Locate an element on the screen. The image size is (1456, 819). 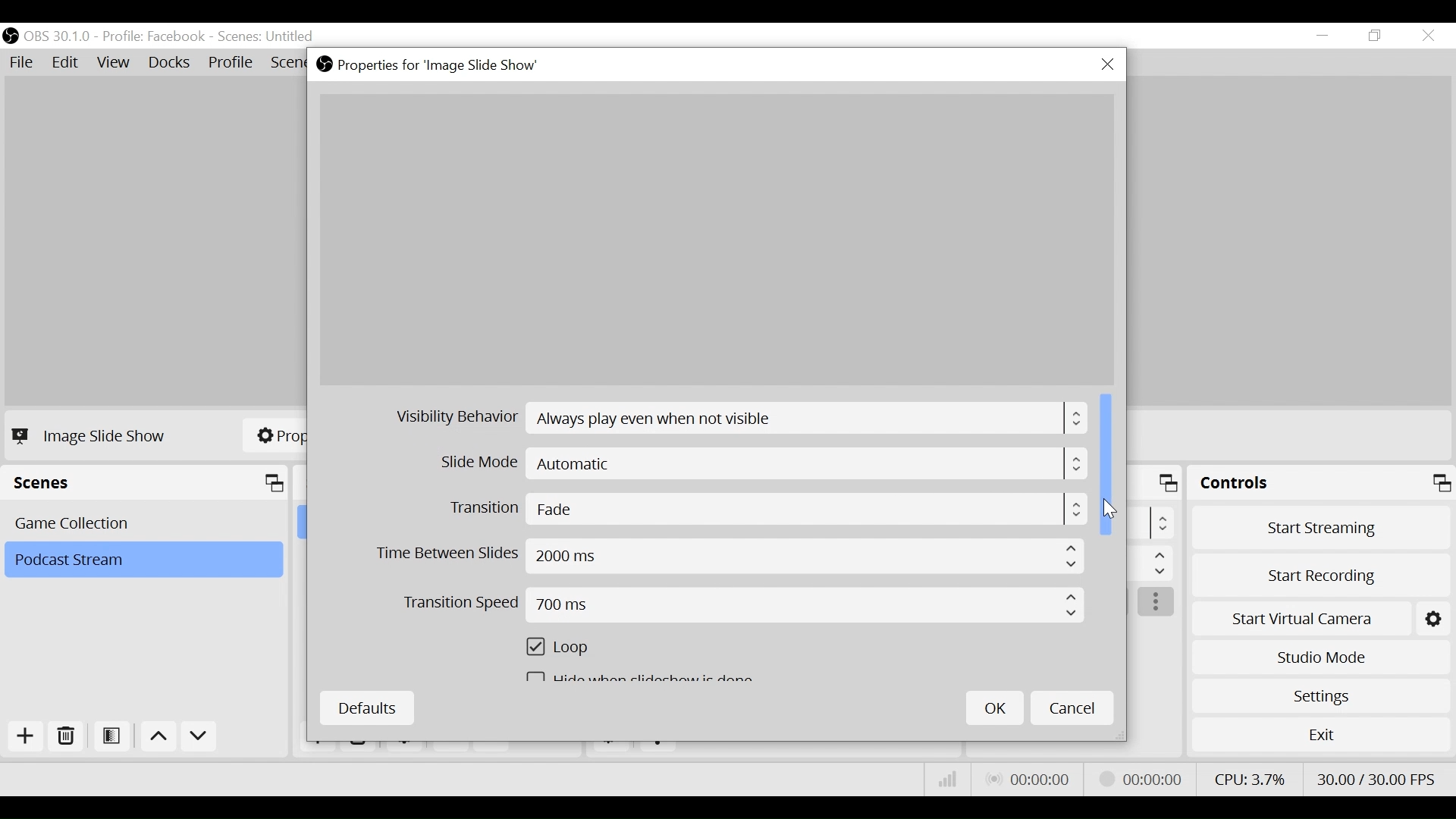
OK is located at coordinates (995, 708).